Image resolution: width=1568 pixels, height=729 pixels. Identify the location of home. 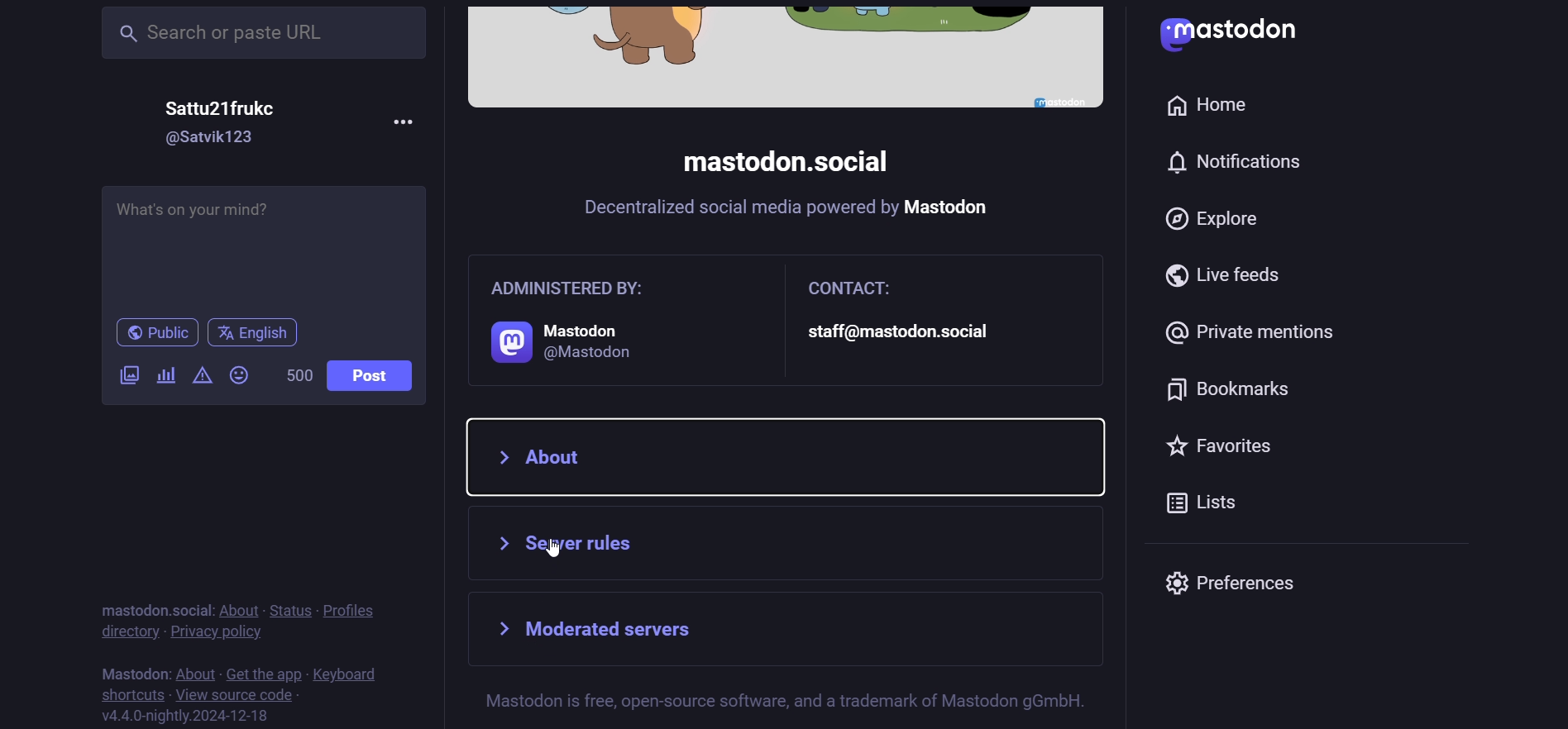
(1208, 101).